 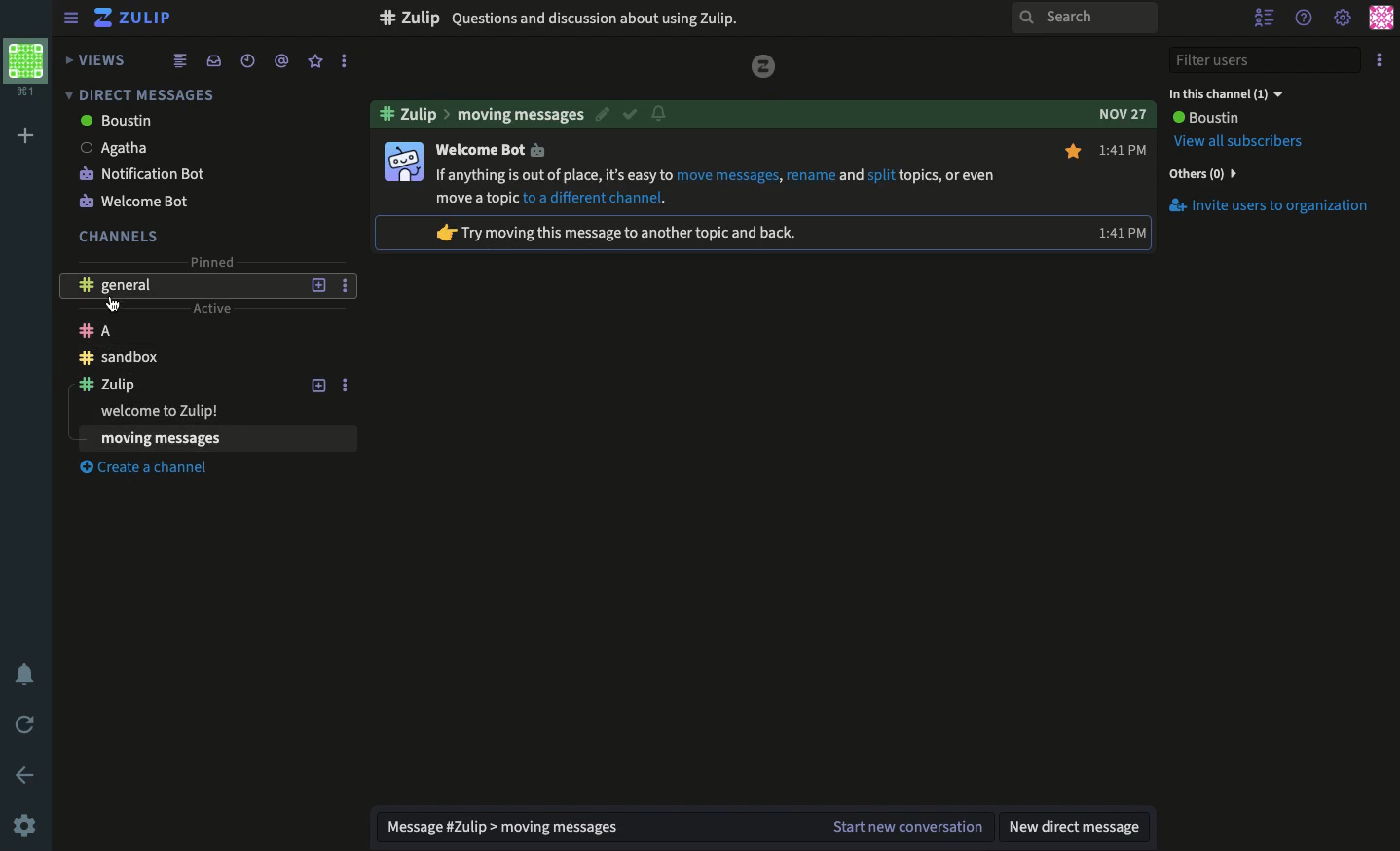 What do you see at coordinates (727, 175) in the screenshot?
I see `move messages` at bounding box center [727, 175].